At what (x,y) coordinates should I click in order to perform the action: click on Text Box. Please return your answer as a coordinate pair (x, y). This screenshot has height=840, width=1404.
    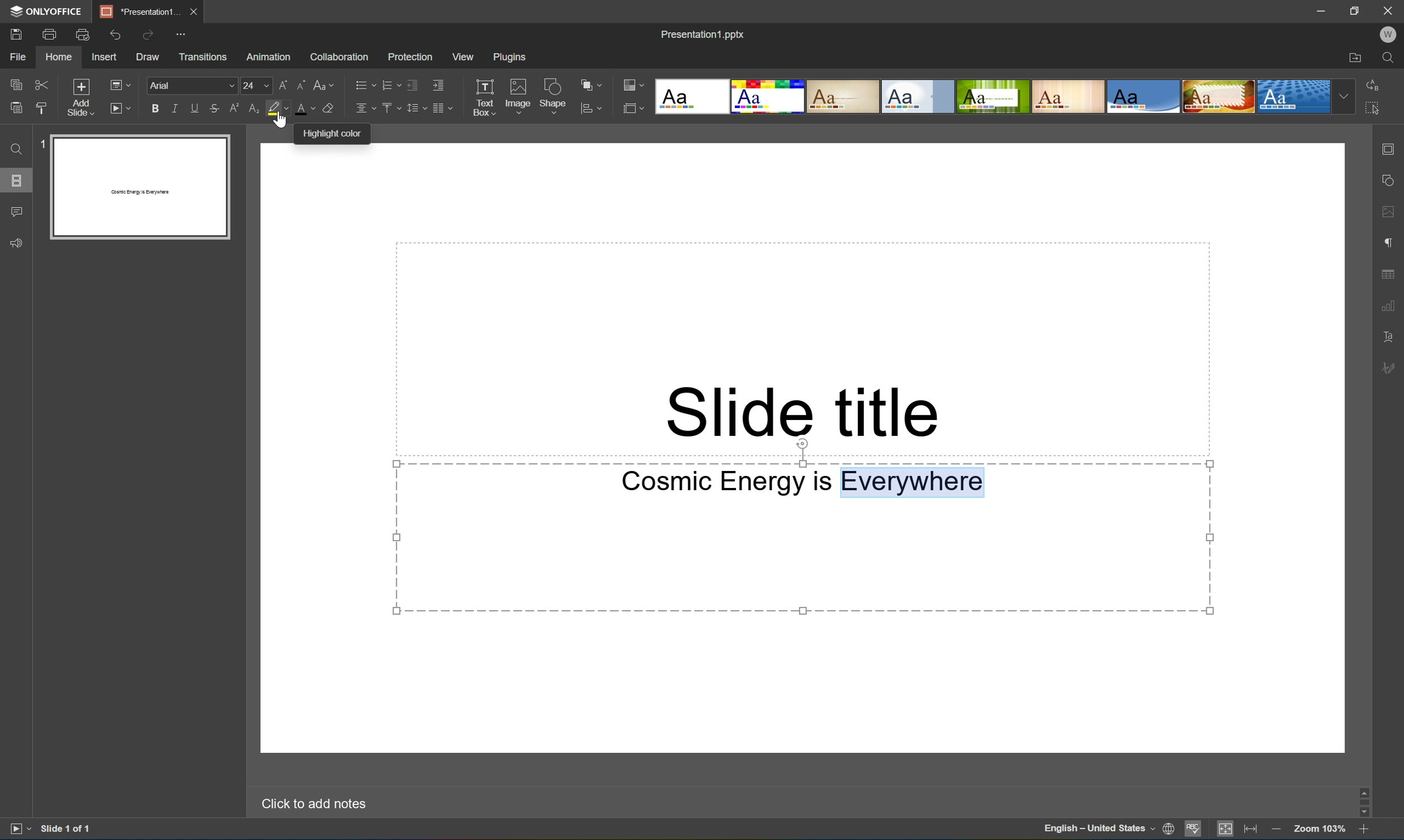
    Looking at the image, I should click on (486, 96).